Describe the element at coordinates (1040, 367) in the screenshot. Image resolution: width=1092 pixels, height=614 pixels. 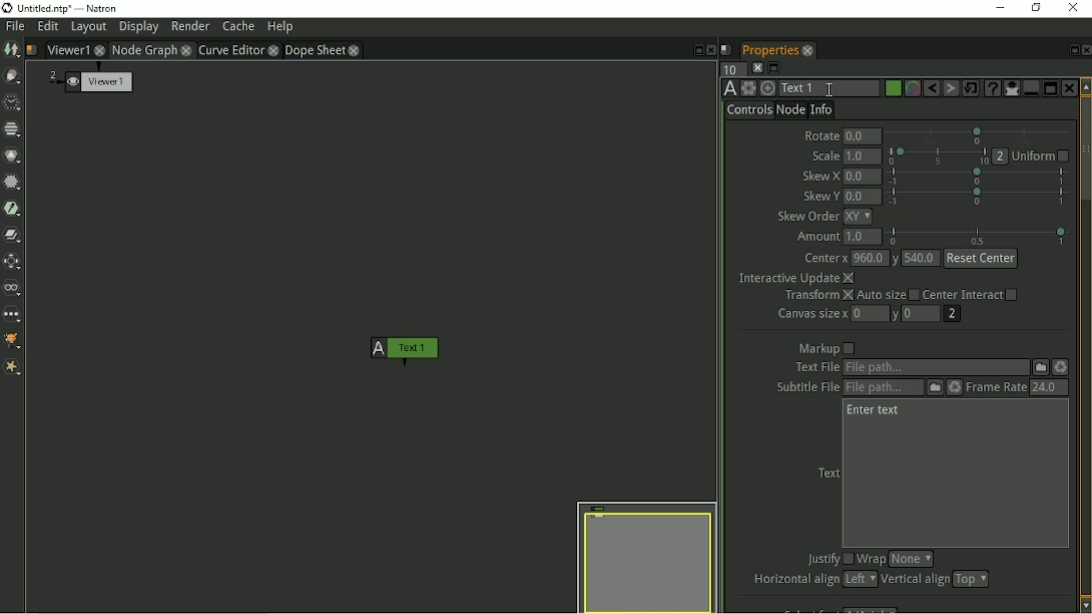
I see `File` at that location.